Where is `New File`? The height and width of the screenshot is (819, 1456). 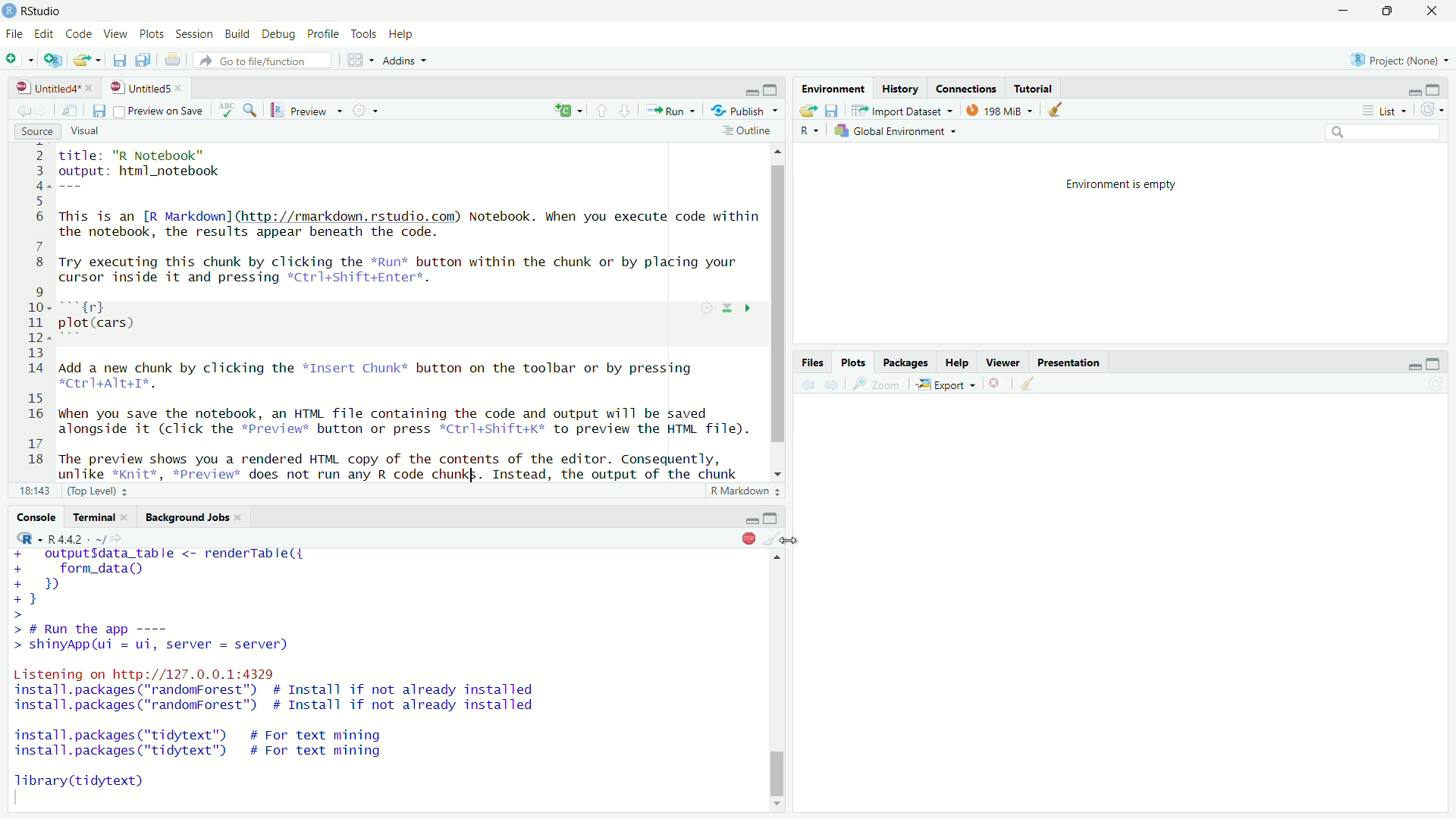
New File is located at coordinates (20, 58).